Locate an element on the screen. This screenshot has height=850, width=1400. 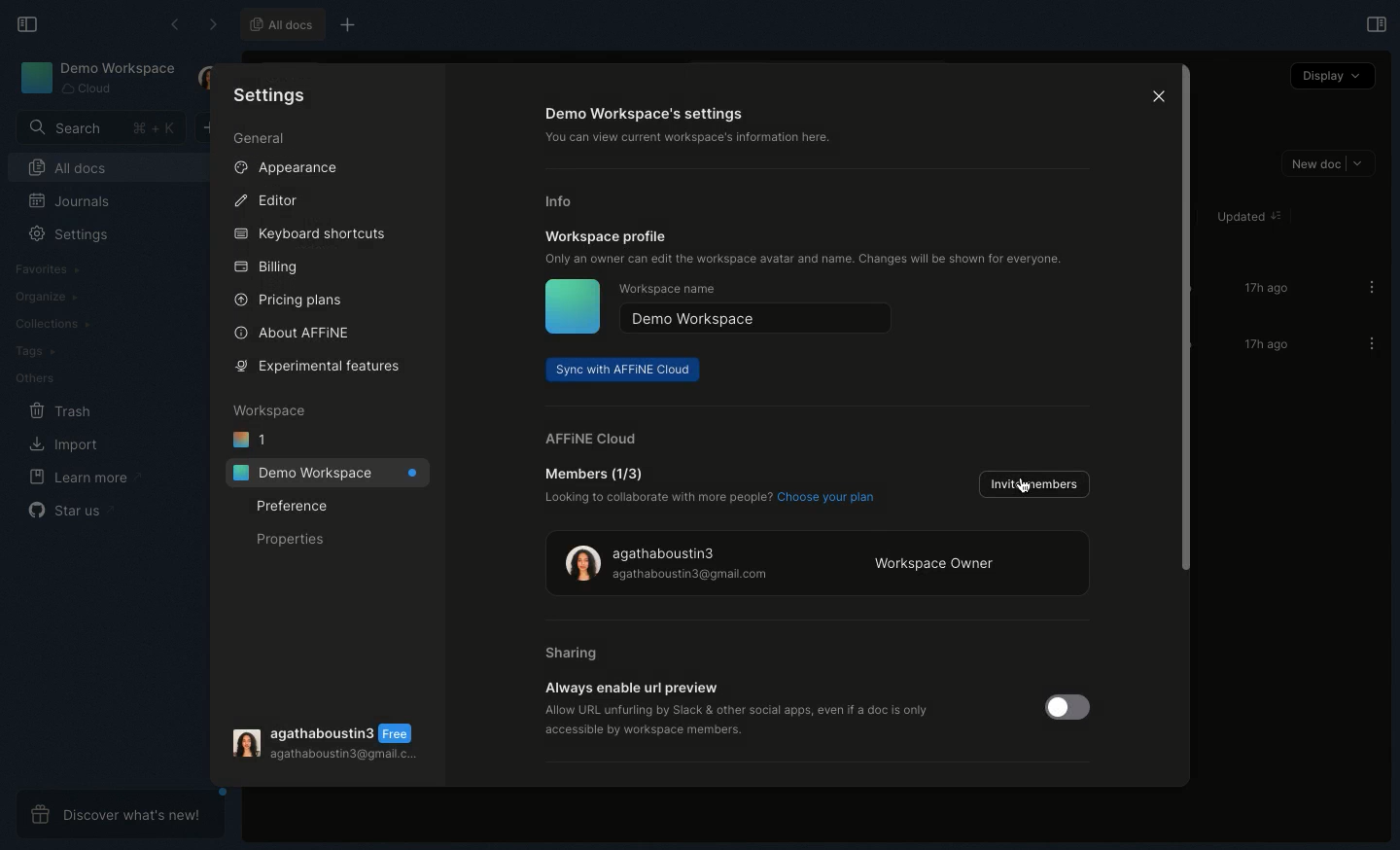
Keyboard shortcuts is located at coordinates (310, 230).